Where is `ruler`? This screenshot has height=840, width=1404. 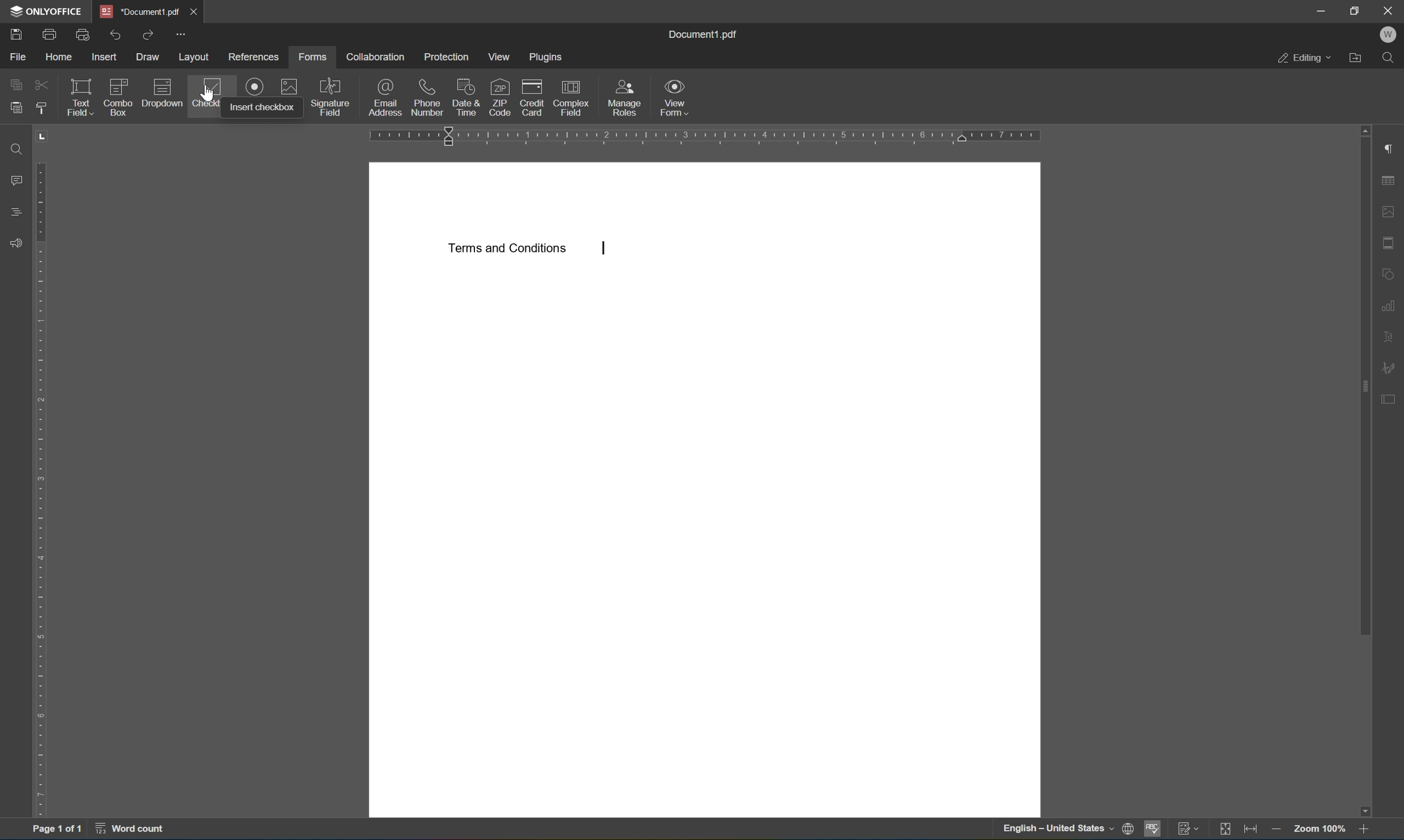
ruler is located at coordinates (43, 473).